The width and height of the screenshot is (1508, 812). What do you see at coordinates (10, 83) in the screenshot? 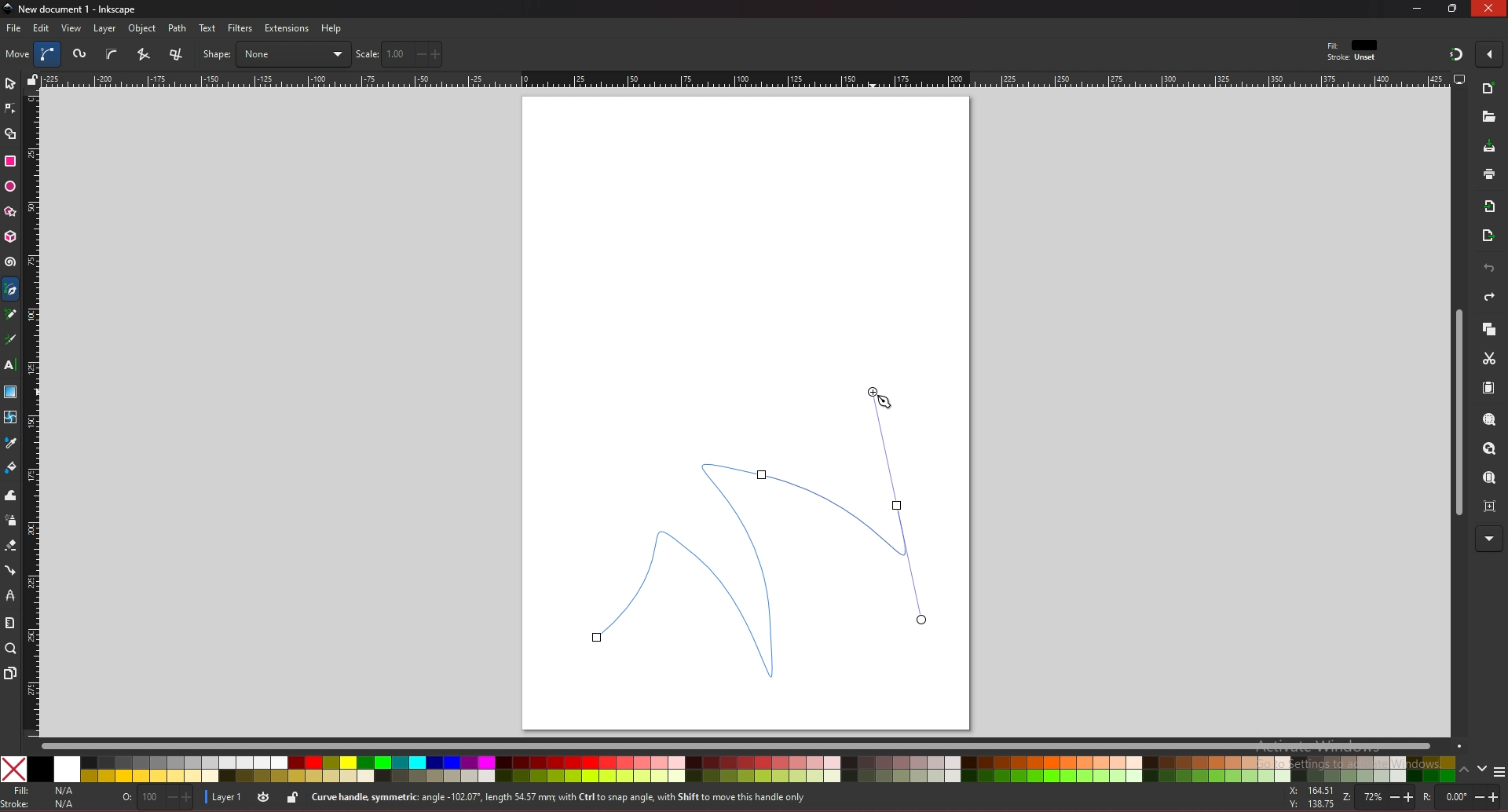
I see `selector` at bounding box center [10, 83].